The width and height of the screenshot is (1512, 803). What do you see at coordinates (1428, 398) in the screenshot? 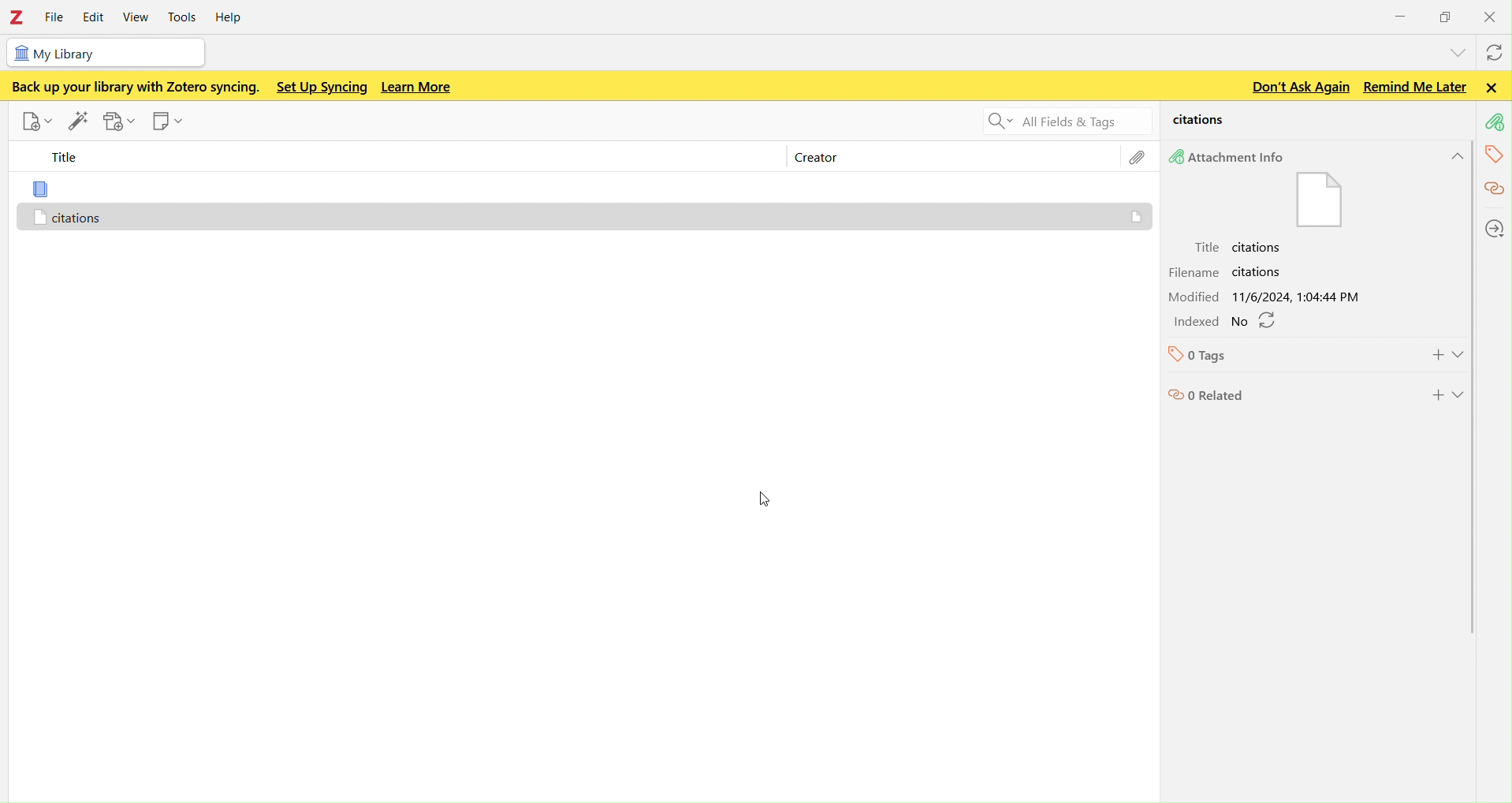
I see `Add` at bounding box center [1428, 398].